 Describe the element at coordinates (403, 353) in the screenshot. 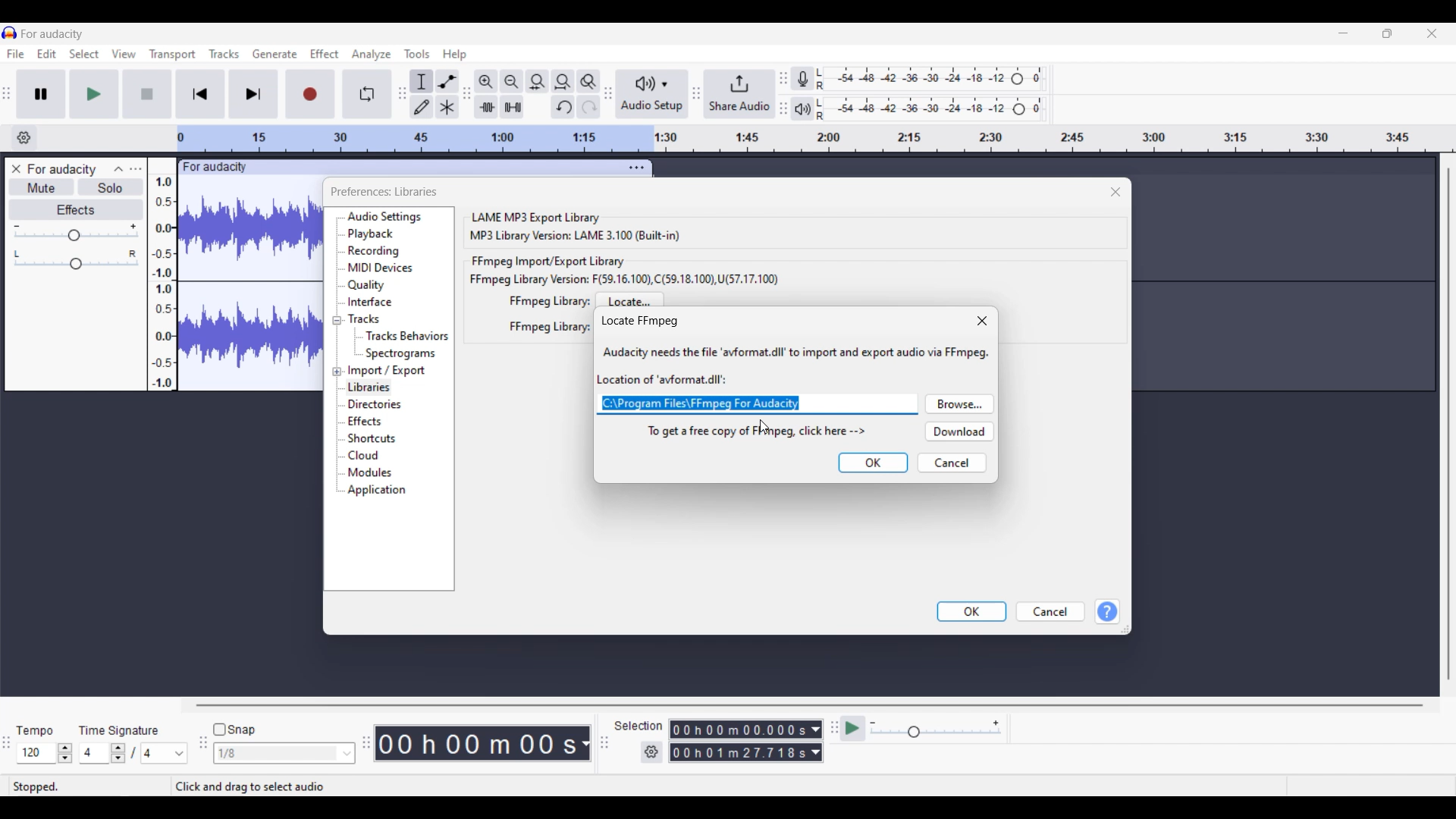

I see `Spectrograms` at that location.